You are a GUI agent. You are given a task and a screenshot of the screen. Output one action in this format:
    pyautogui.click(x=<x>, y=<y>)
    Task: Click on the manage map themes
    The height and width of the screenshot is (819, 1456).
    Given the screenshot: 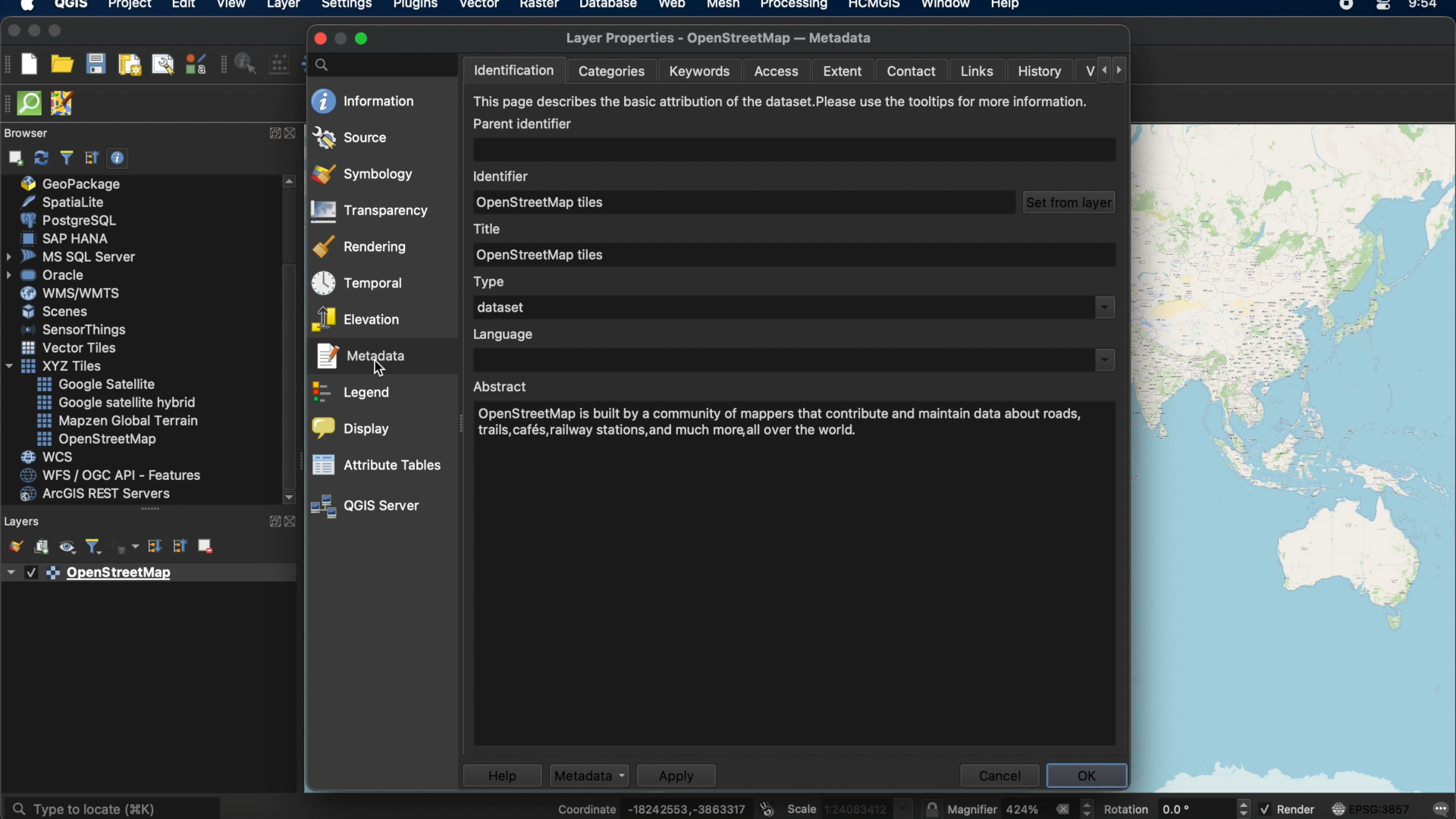 What is the action you would take?
    pyautogui.click(x=66, y=548)
    